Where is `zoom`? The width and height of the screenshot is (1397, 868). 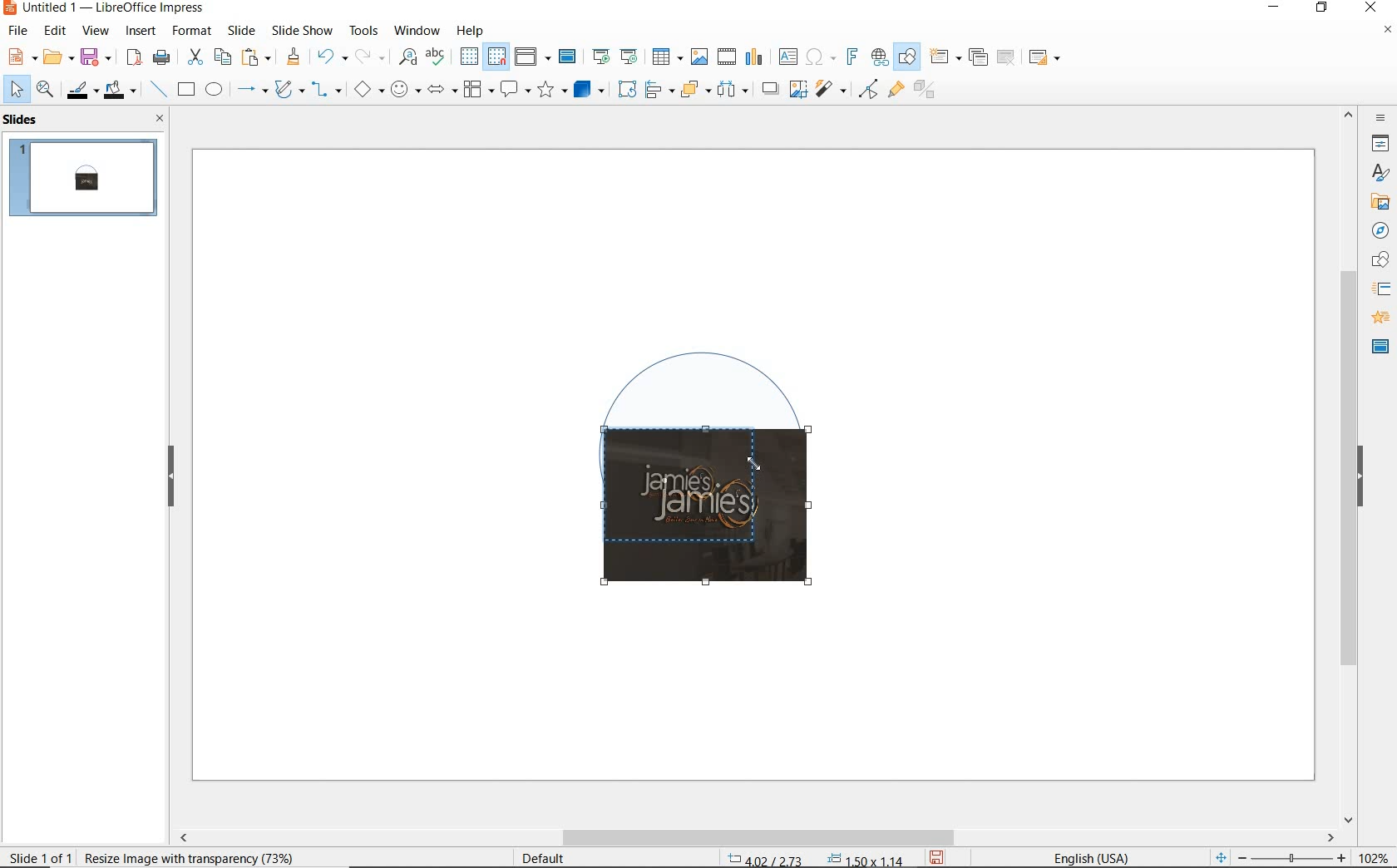
zoom is located at coordinates (1296, 858).